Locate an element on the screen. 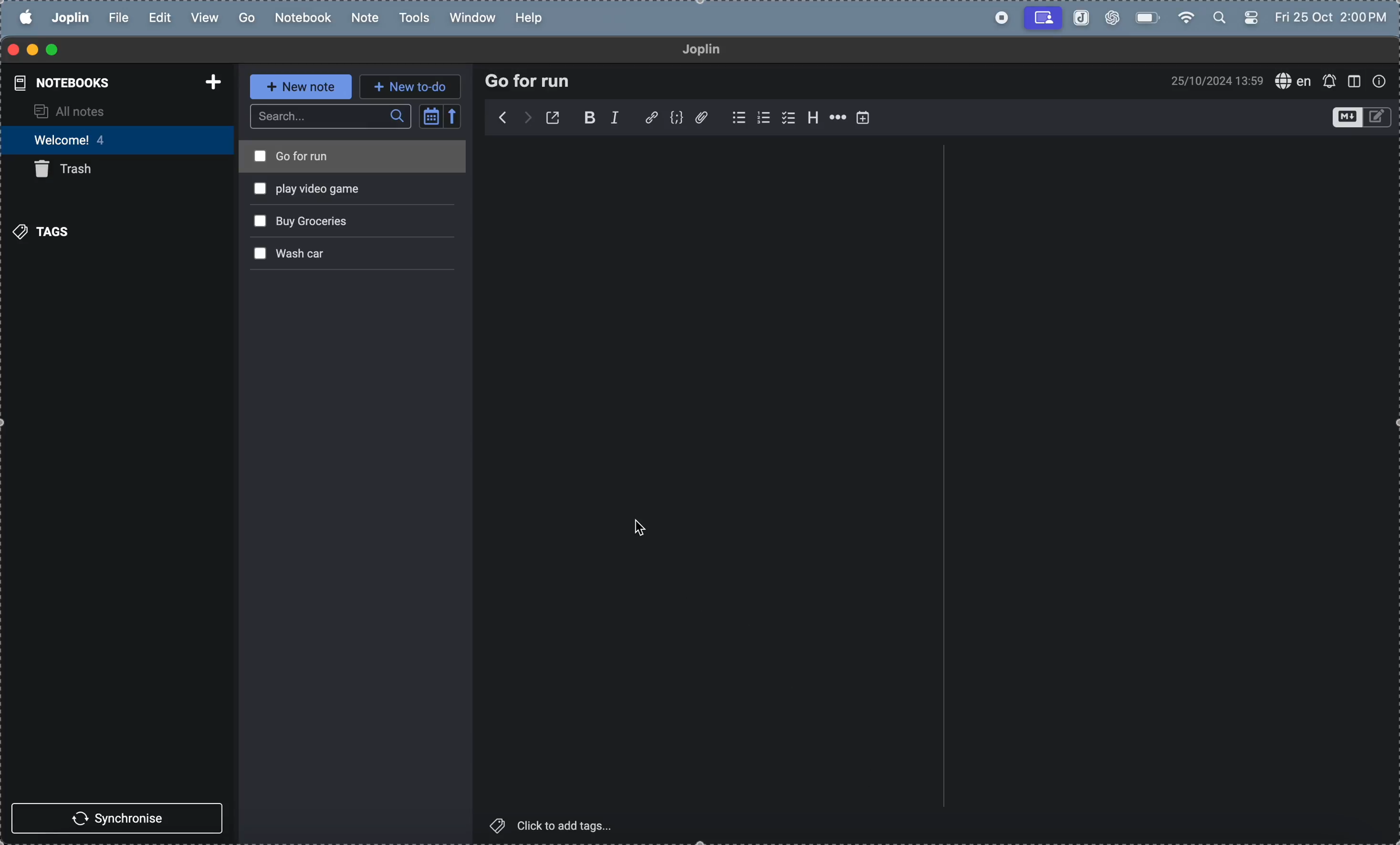  all notes is located at coordinates (106, 113).